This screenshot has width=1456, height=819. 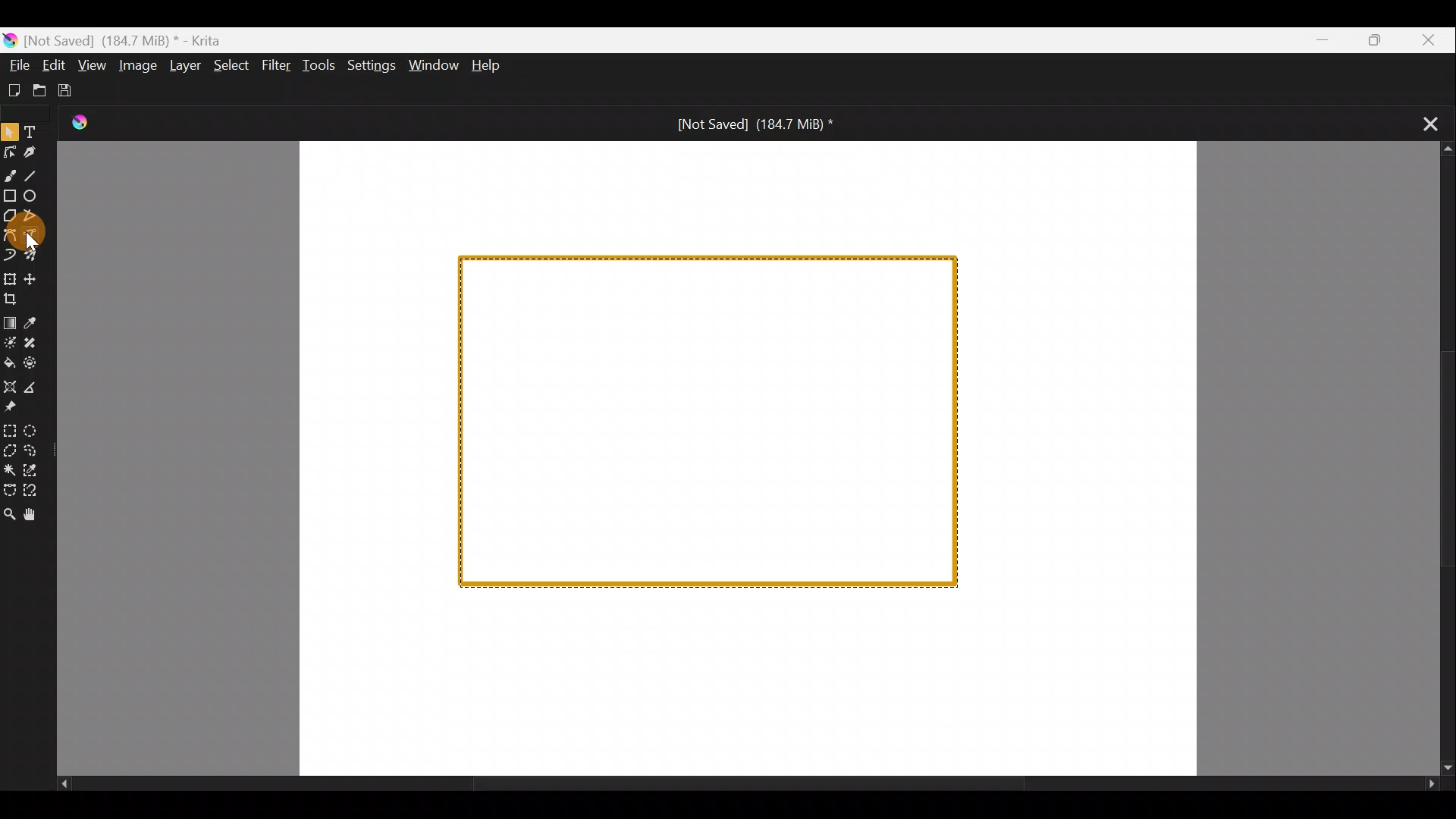 I want to click on Window, so click(x=431, y=67).